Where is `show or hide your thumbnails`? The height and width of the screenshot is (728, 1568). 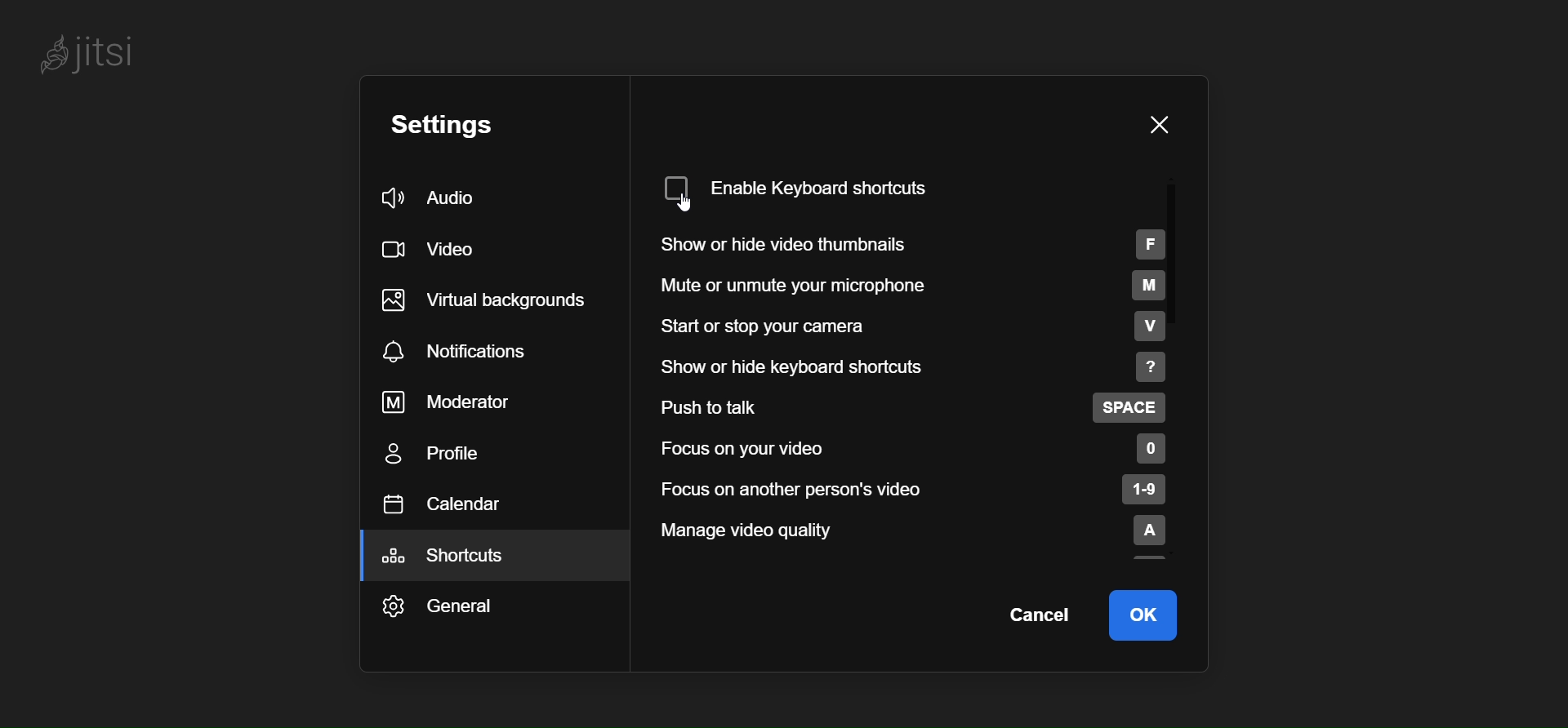
show or hide your thumbnails is located at coordinates (922, 242).